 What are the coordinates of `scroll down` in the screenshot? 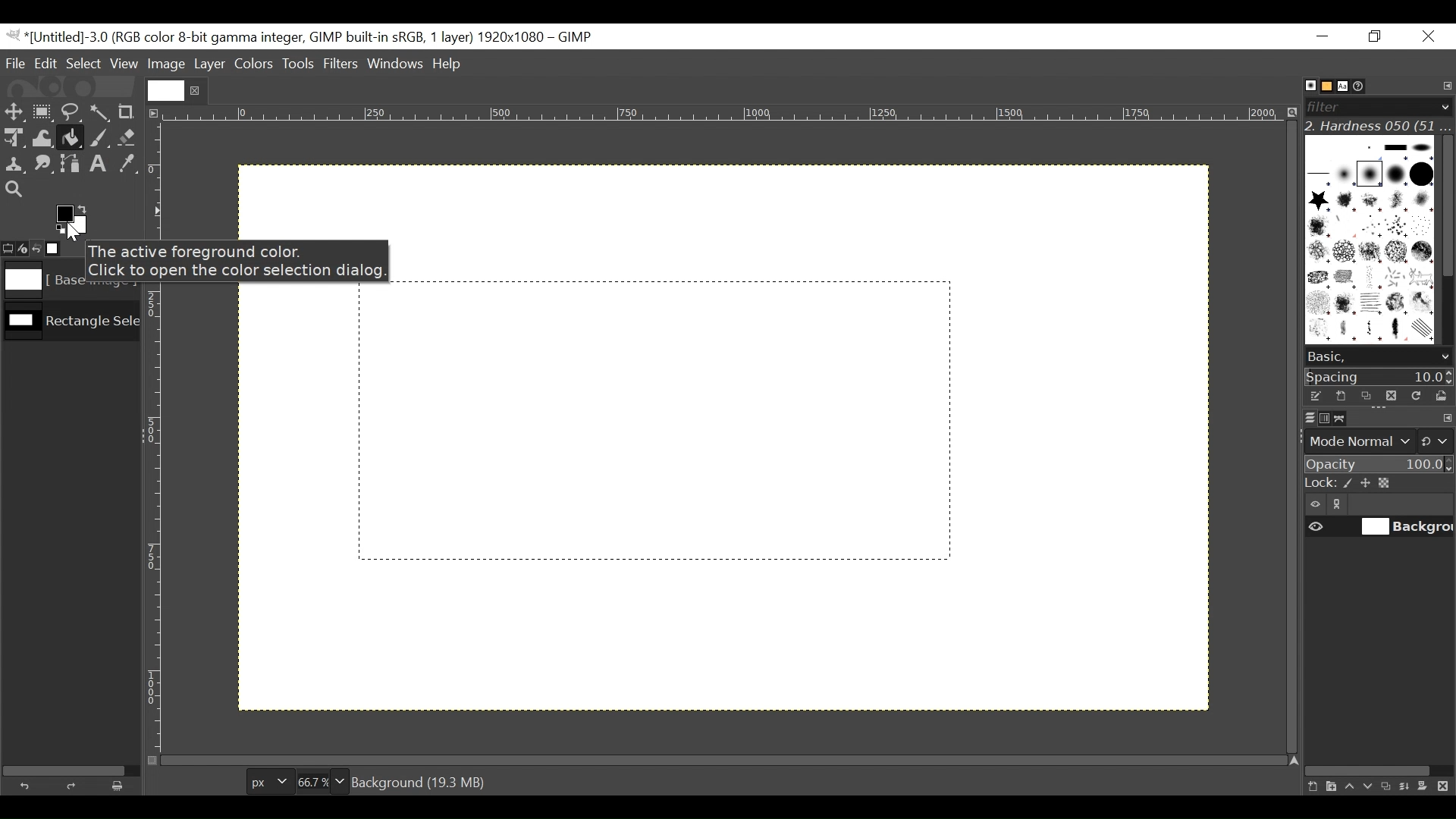 It's located at (1445, 357).